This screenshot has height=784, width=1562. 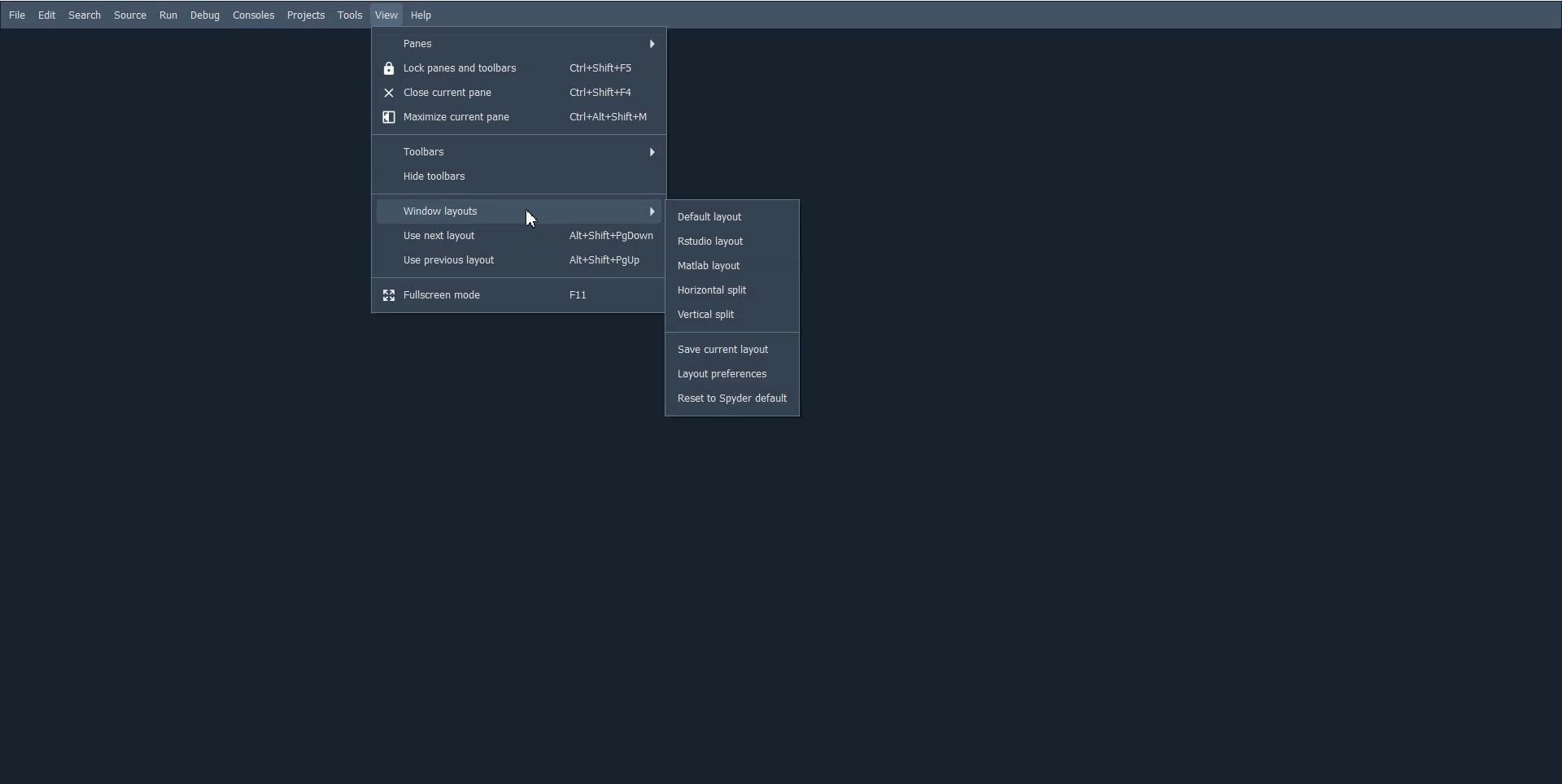 What do you see at coordinates (519, 41) in the screenshot?
I see `Panes` at bounding box center [519, 41].